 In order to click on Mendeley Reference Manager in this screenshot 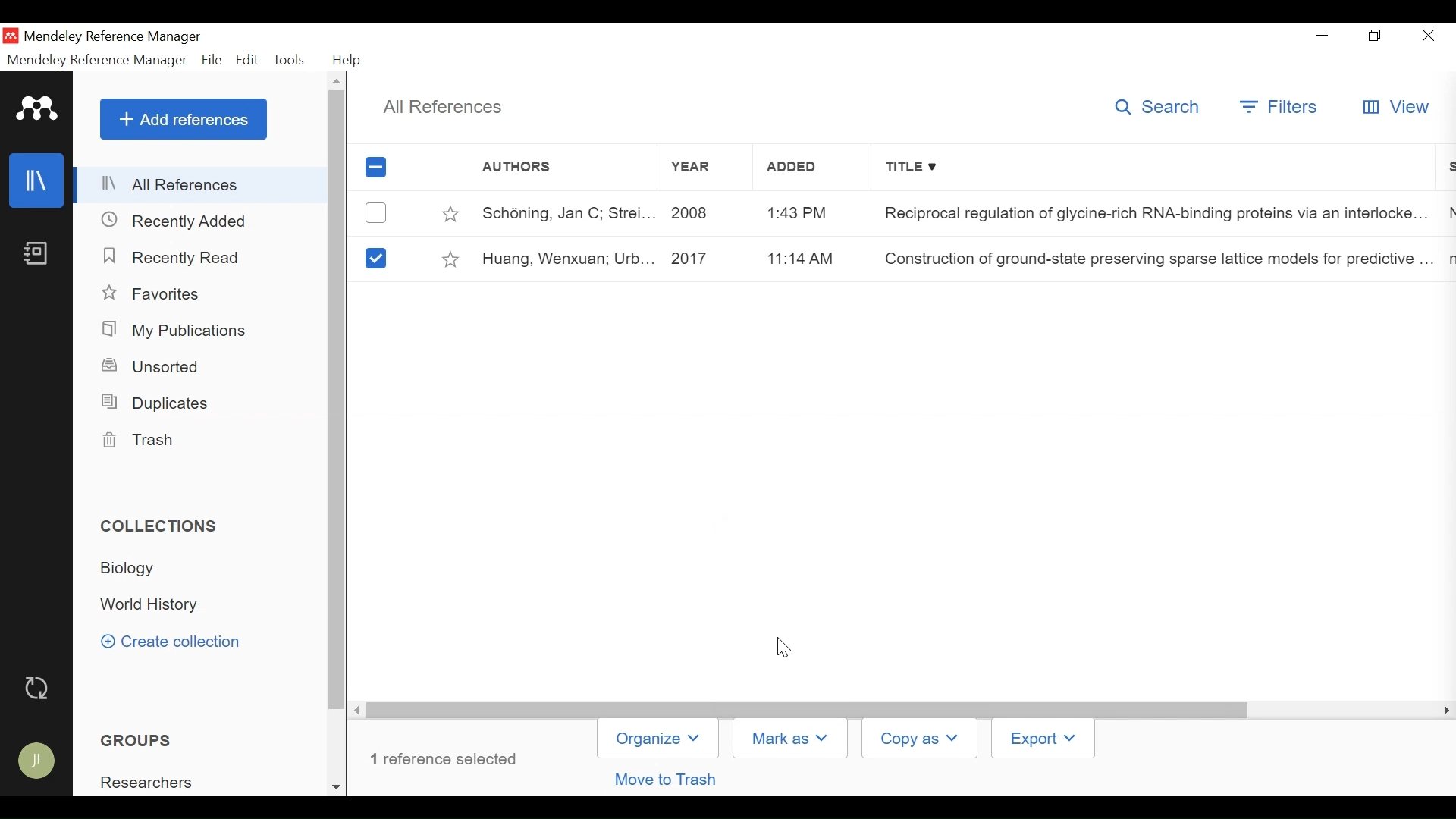, I will do `click(115, 37)`.